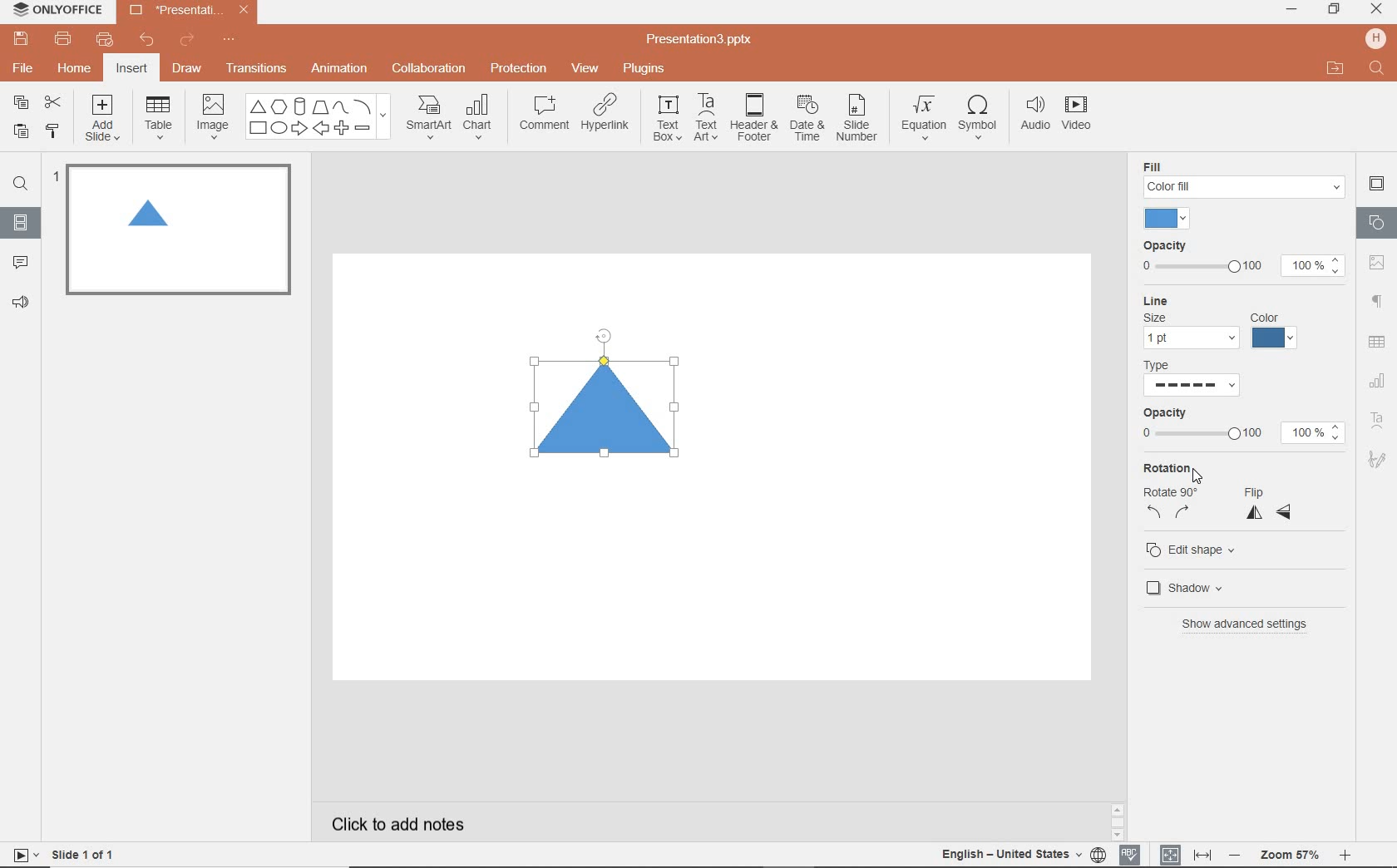  What do you see at coordinates (54, 131) in the screenshot?
I see `COPY STYLE` at bounding box center [54, 131].